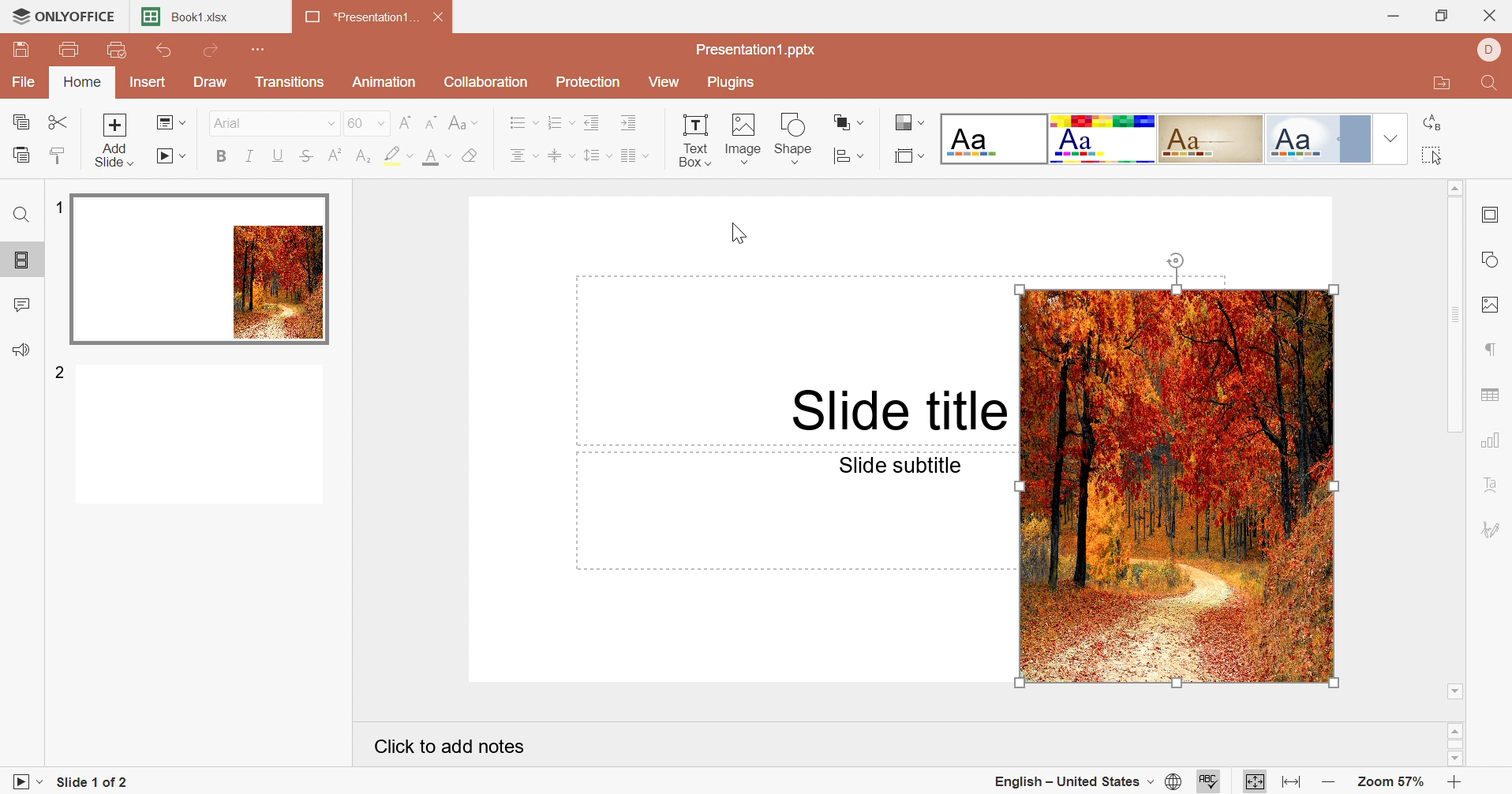  Describe the element at coordinates (1489, 305) in the screenshot. I see `Image settings` at that location.